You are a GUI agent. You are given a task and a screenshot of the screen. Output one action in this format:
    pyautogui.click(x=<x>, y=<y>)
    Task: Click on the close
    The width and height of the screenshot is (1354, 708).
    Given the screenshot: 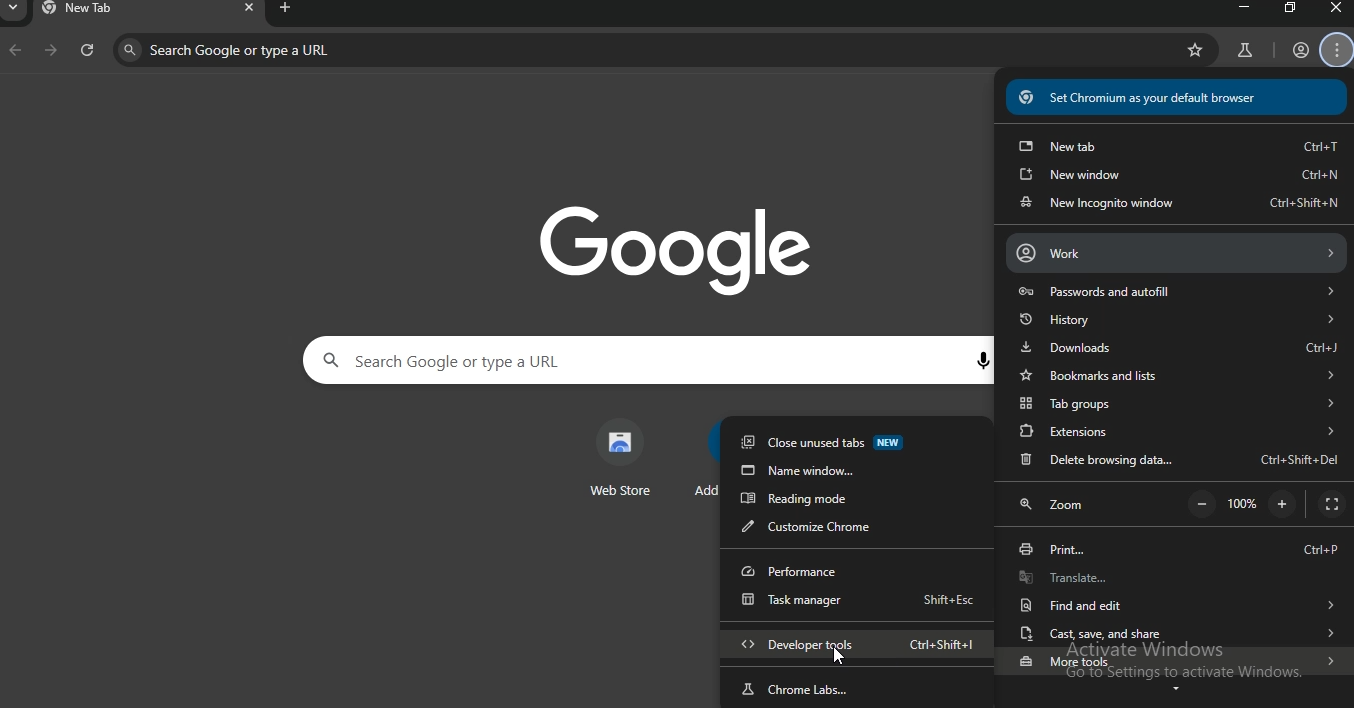 What is the action you would take?
    pyautogui.click(x=1337, y=8)
    